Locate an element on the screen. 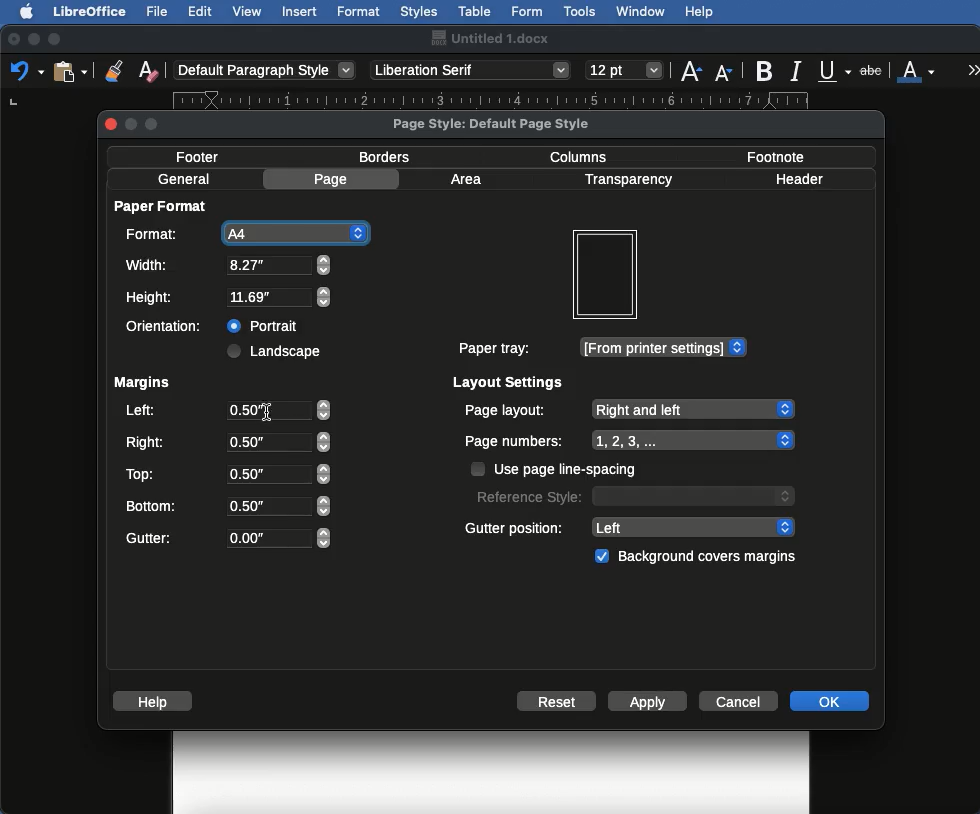 This screenshot has width=980, height=814. Format is located at coordinates (360, 12).